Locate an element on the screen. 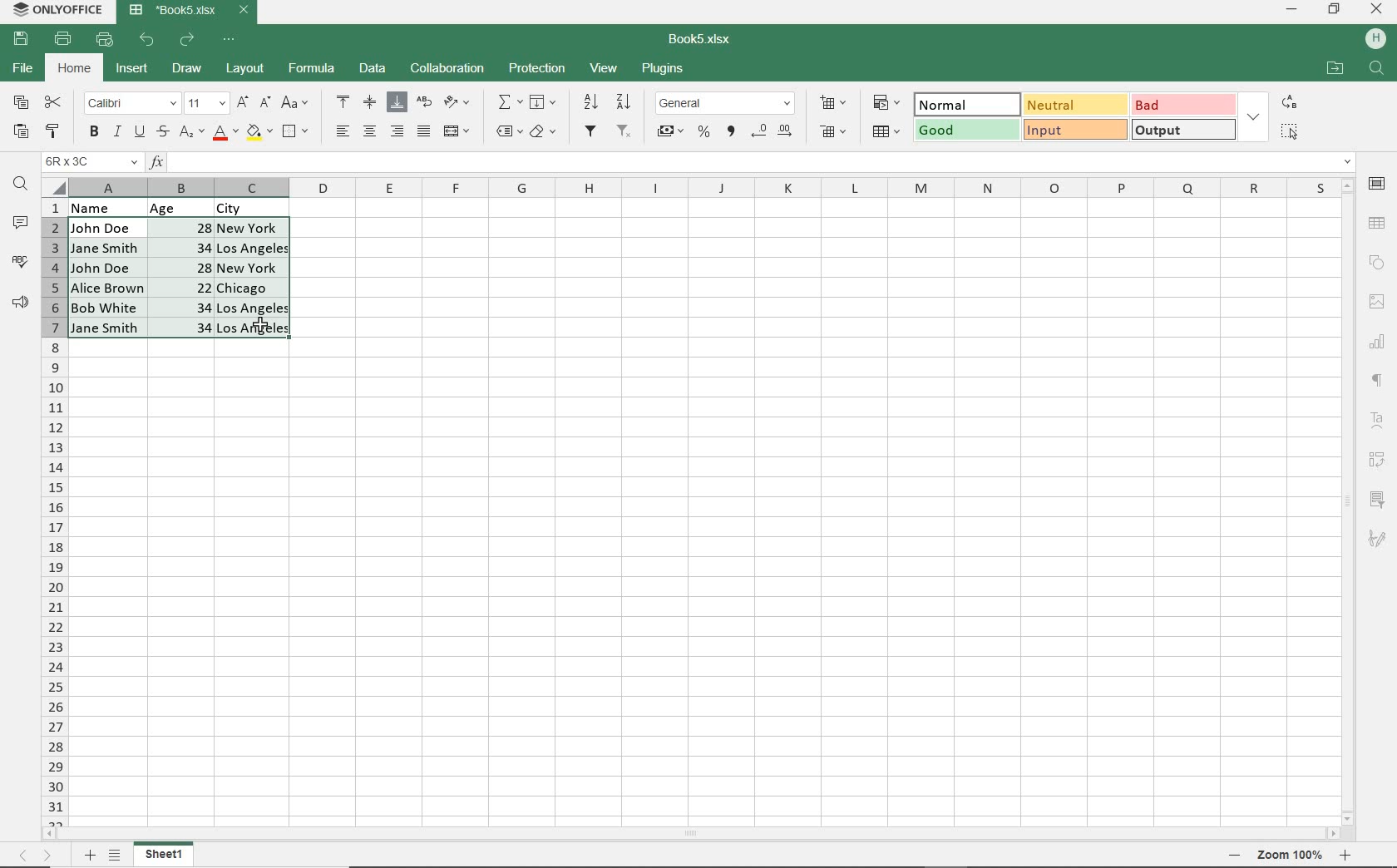 This screenshot has width=1397, height=868. CLOSE is located at coordinates (1377, 10).